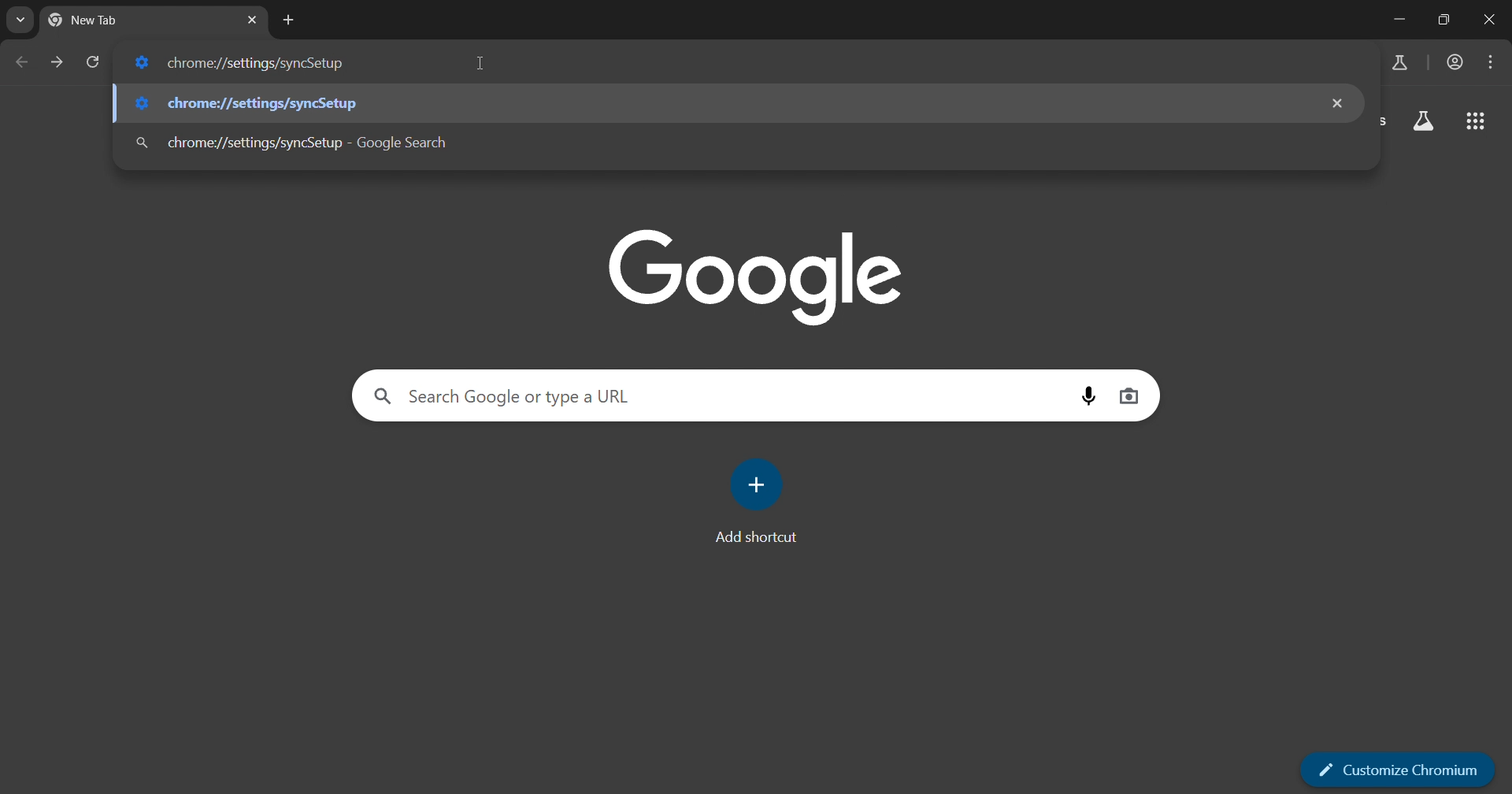 Image resolution: width=1512 pixels, height=794 pixels. Describe the element at coordinates (119, 21) in the screenshot. I see `new tab` at that location.